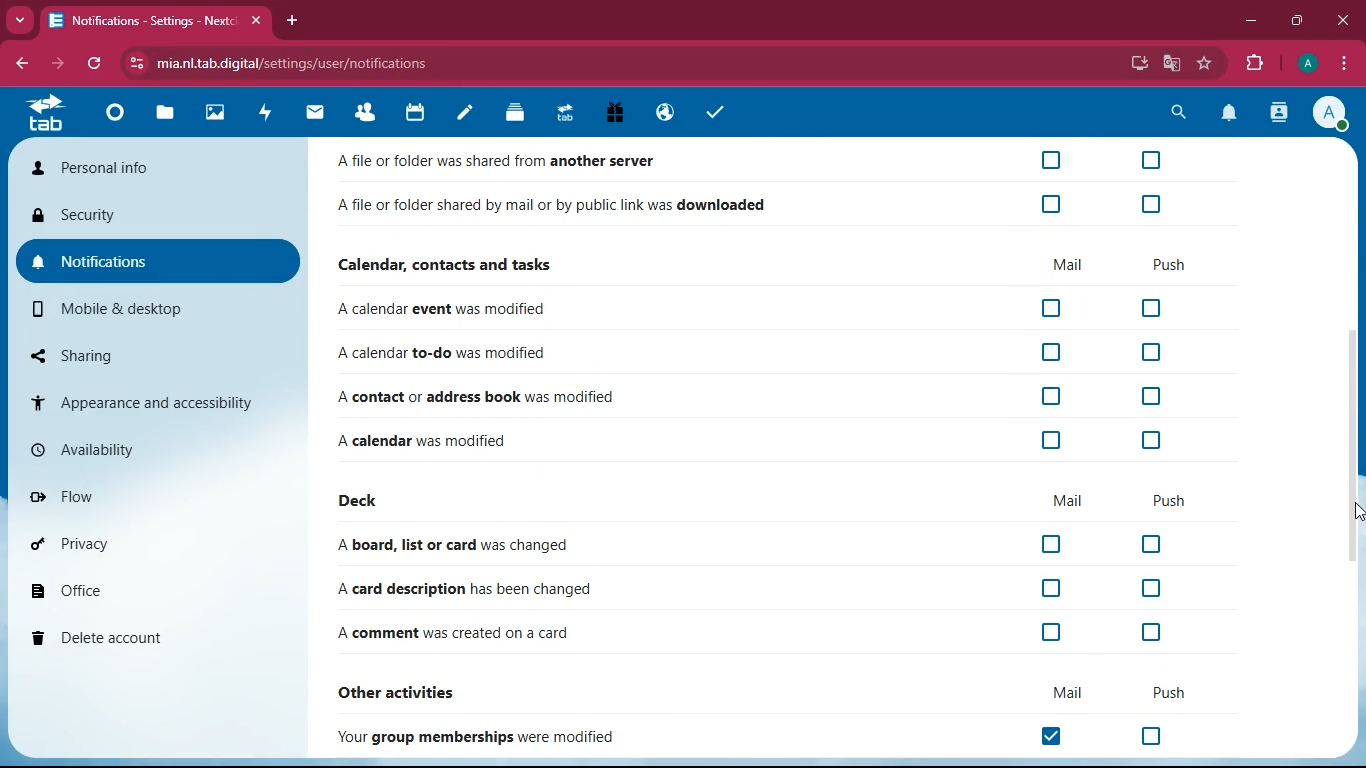  I want to click on activity, so click(1280, 112).